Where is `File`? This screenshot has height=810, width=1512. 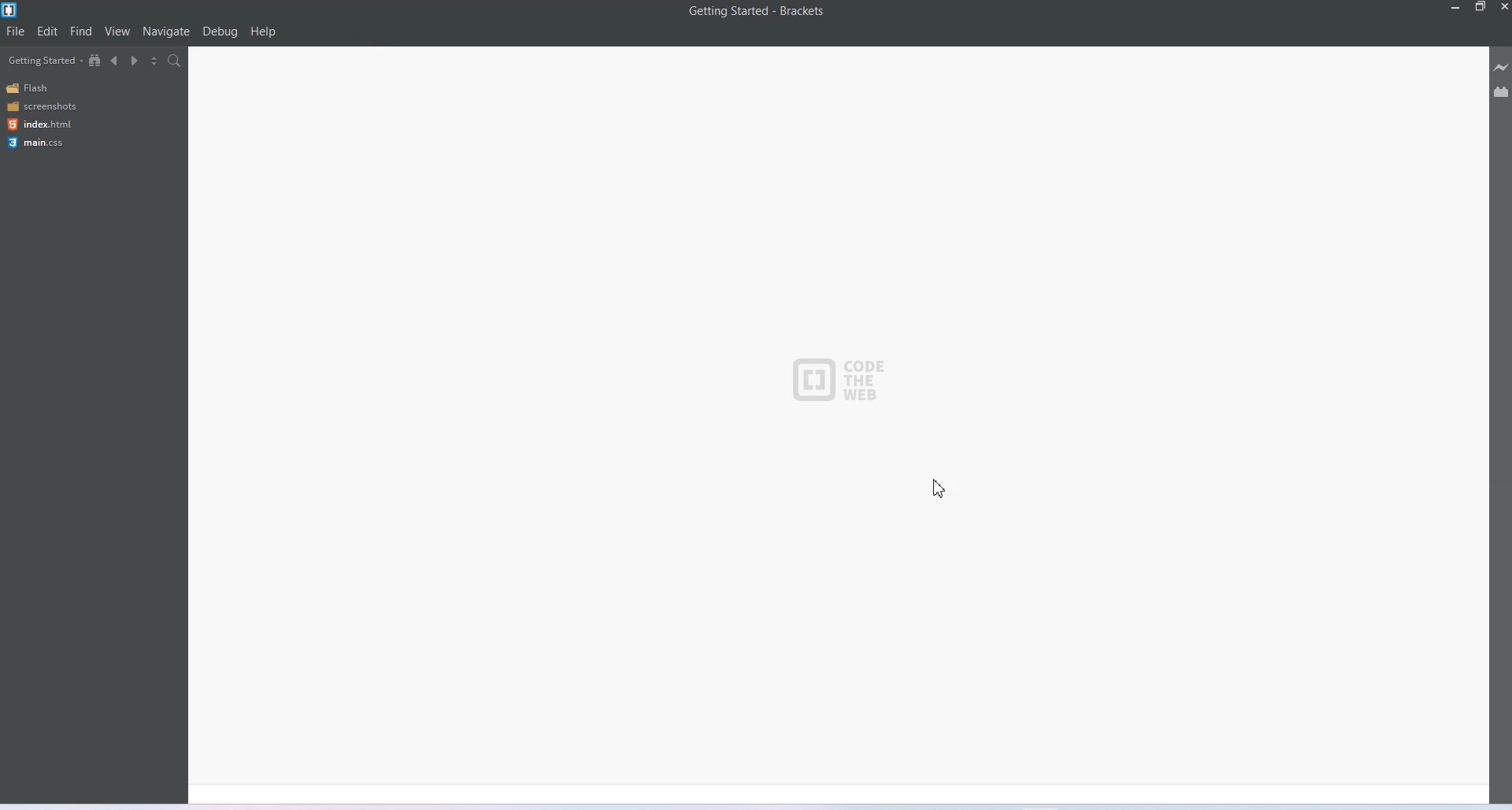 File is located at coordinates (16, 32).